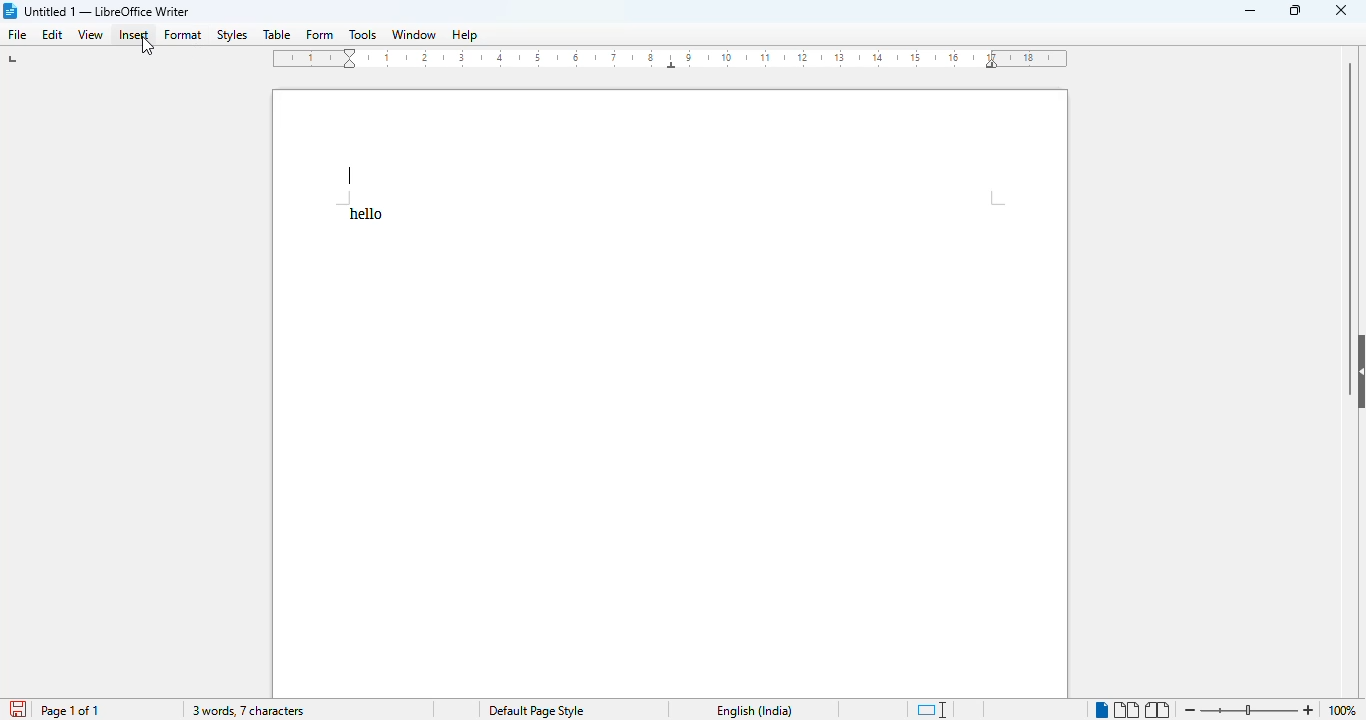  Describe the element at coordinates (1158, 710) in the screenshot. I see `book view` at that location.